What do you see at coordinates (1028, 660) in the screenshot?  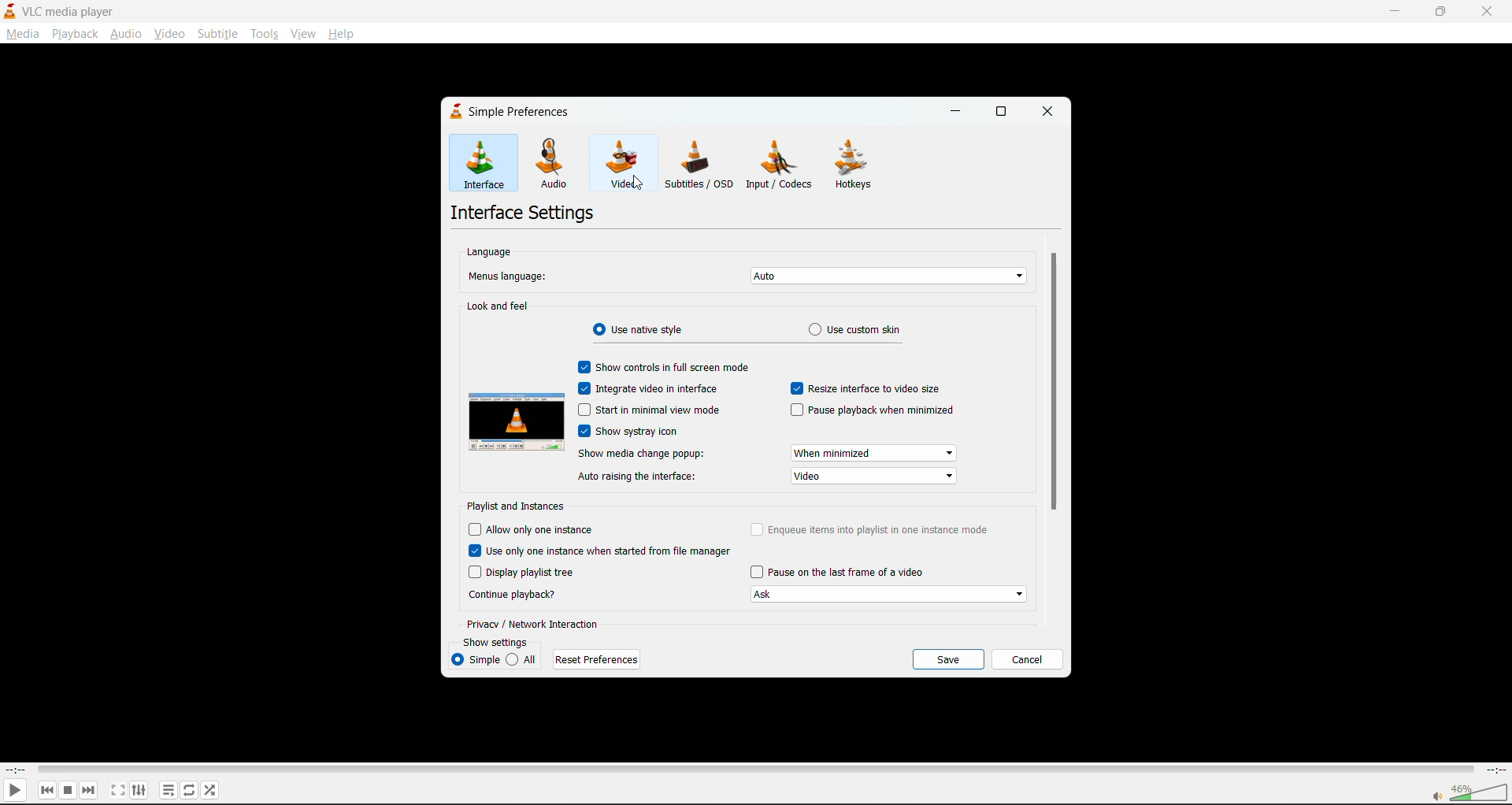 I see `cancel` at bounding box center [1028, 660].